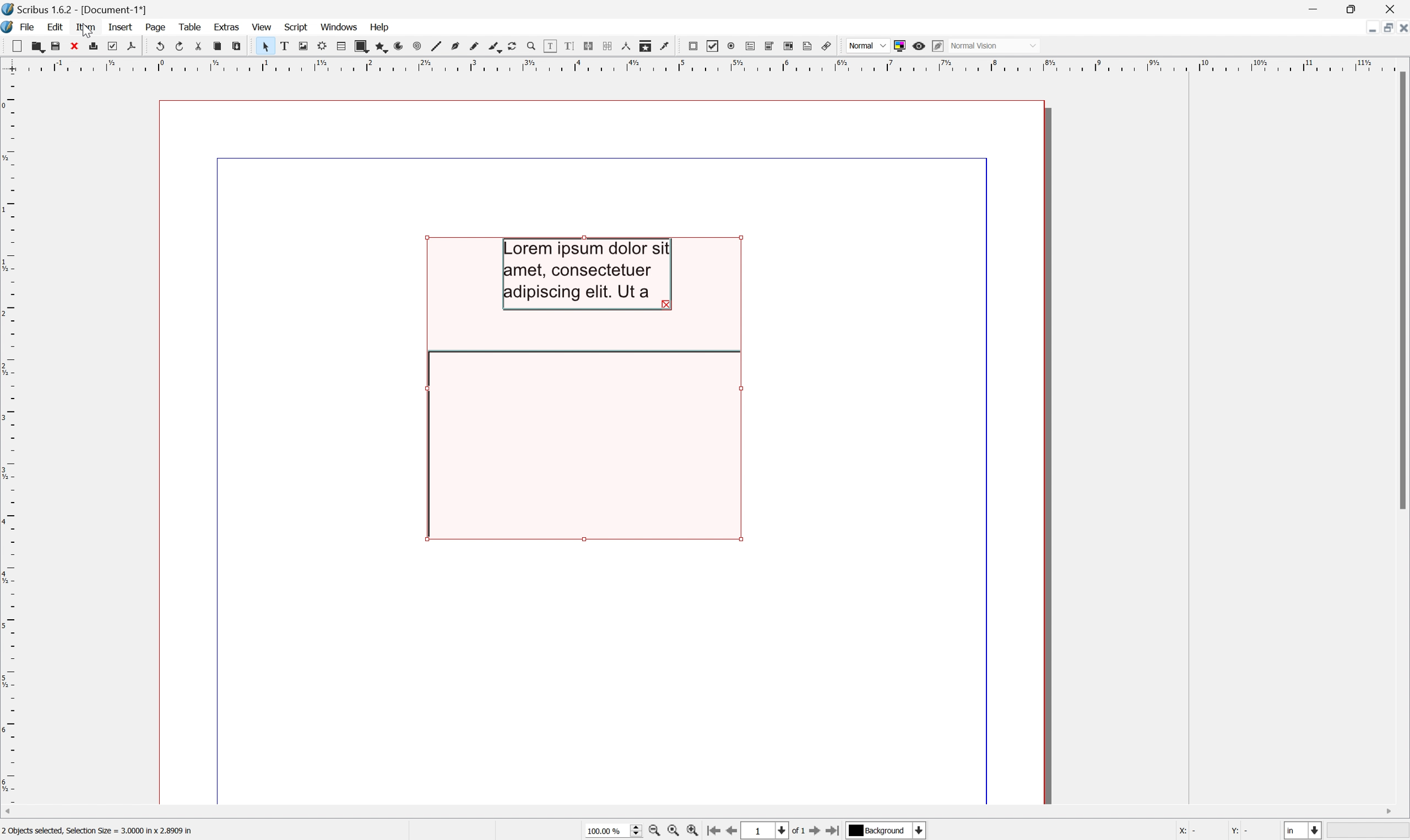  I want to click on Zoom out by the stepping value, so click(657, 832).